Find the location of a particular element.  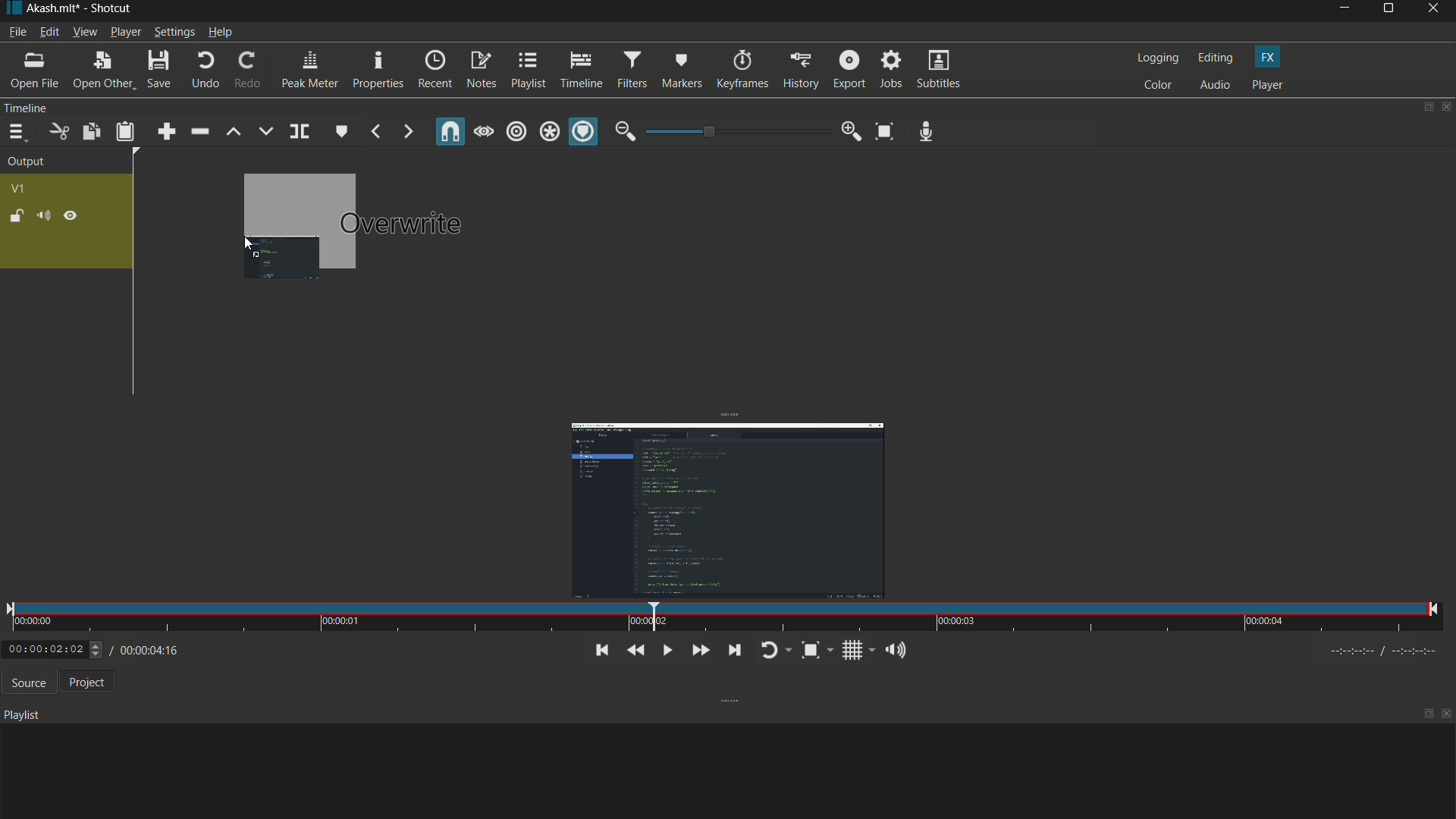

audio is located at coordinates (1216, 86).